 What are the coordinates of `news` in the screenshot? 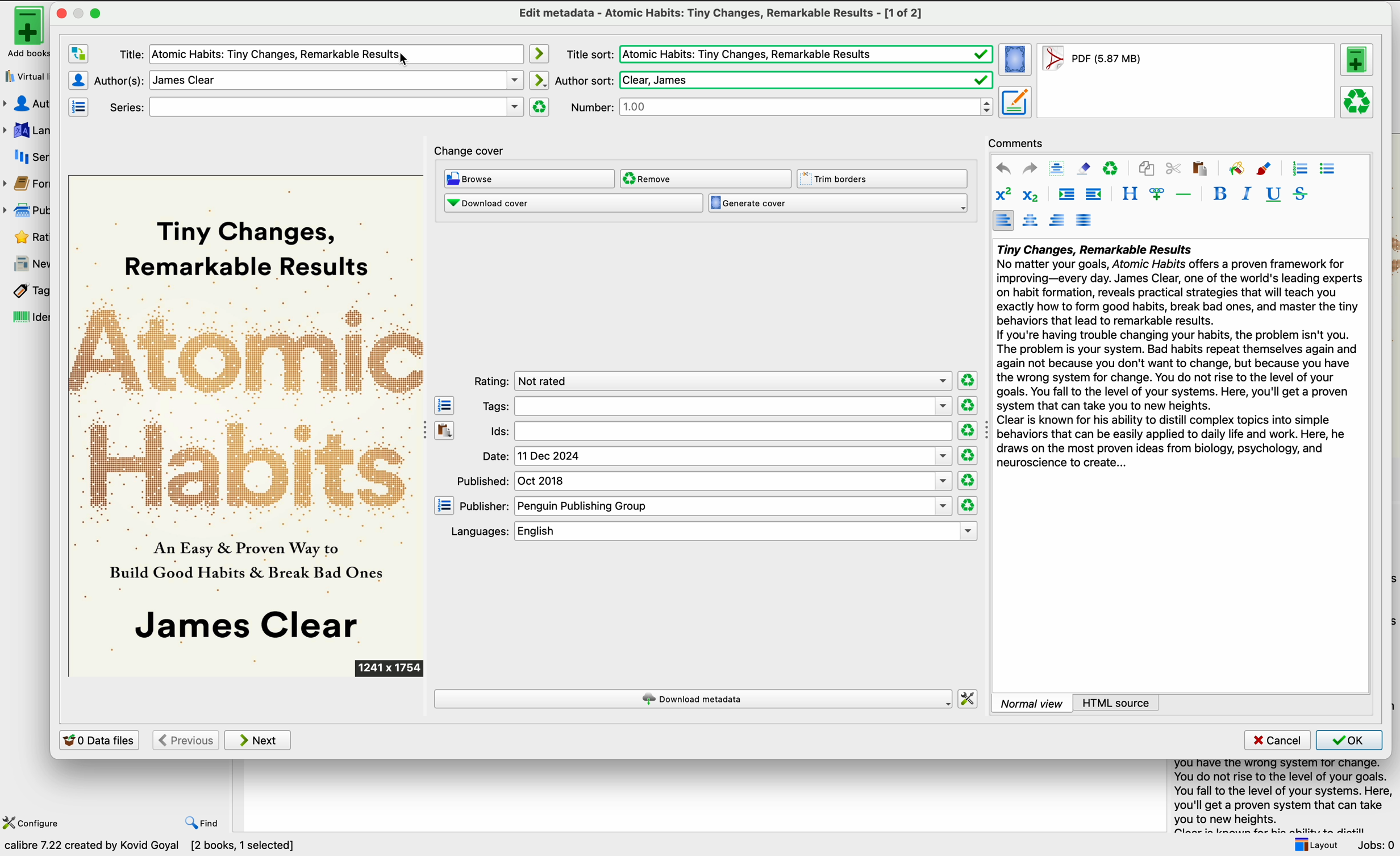 It's located at (26, 264).